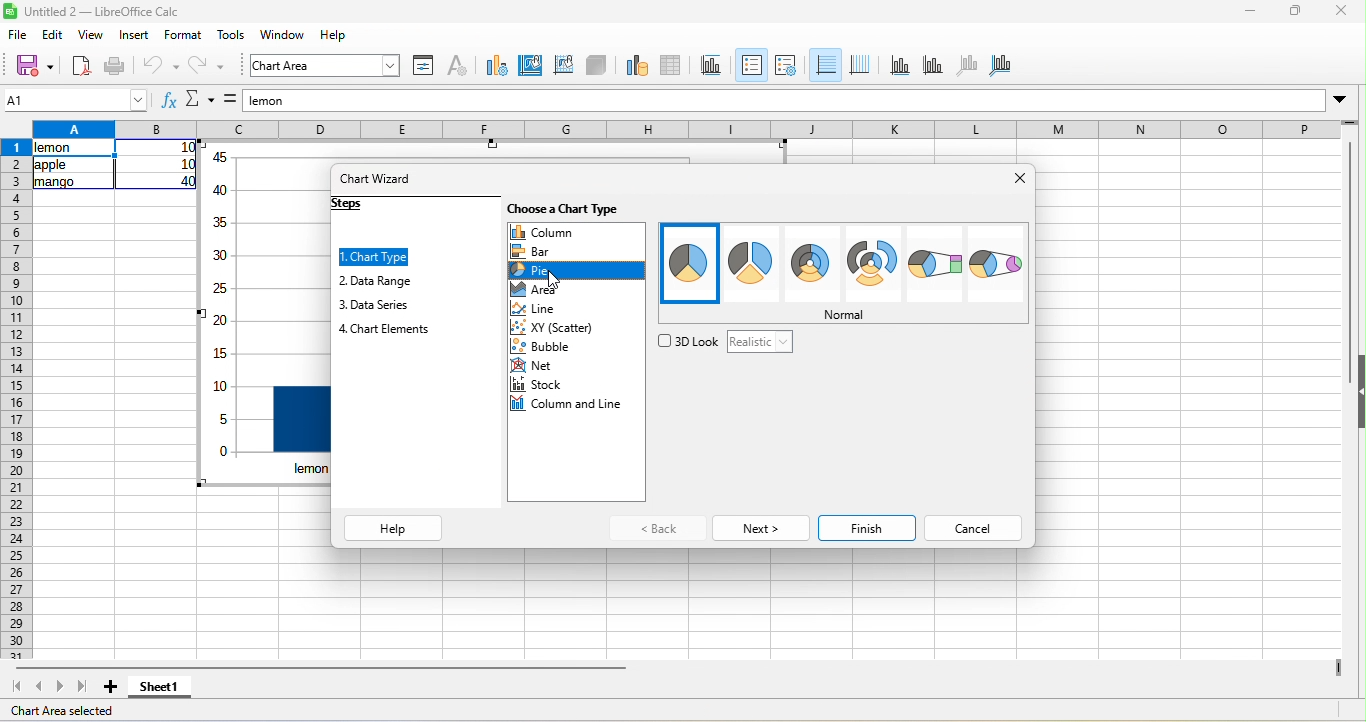  I want to click on help, so click(394, 527).